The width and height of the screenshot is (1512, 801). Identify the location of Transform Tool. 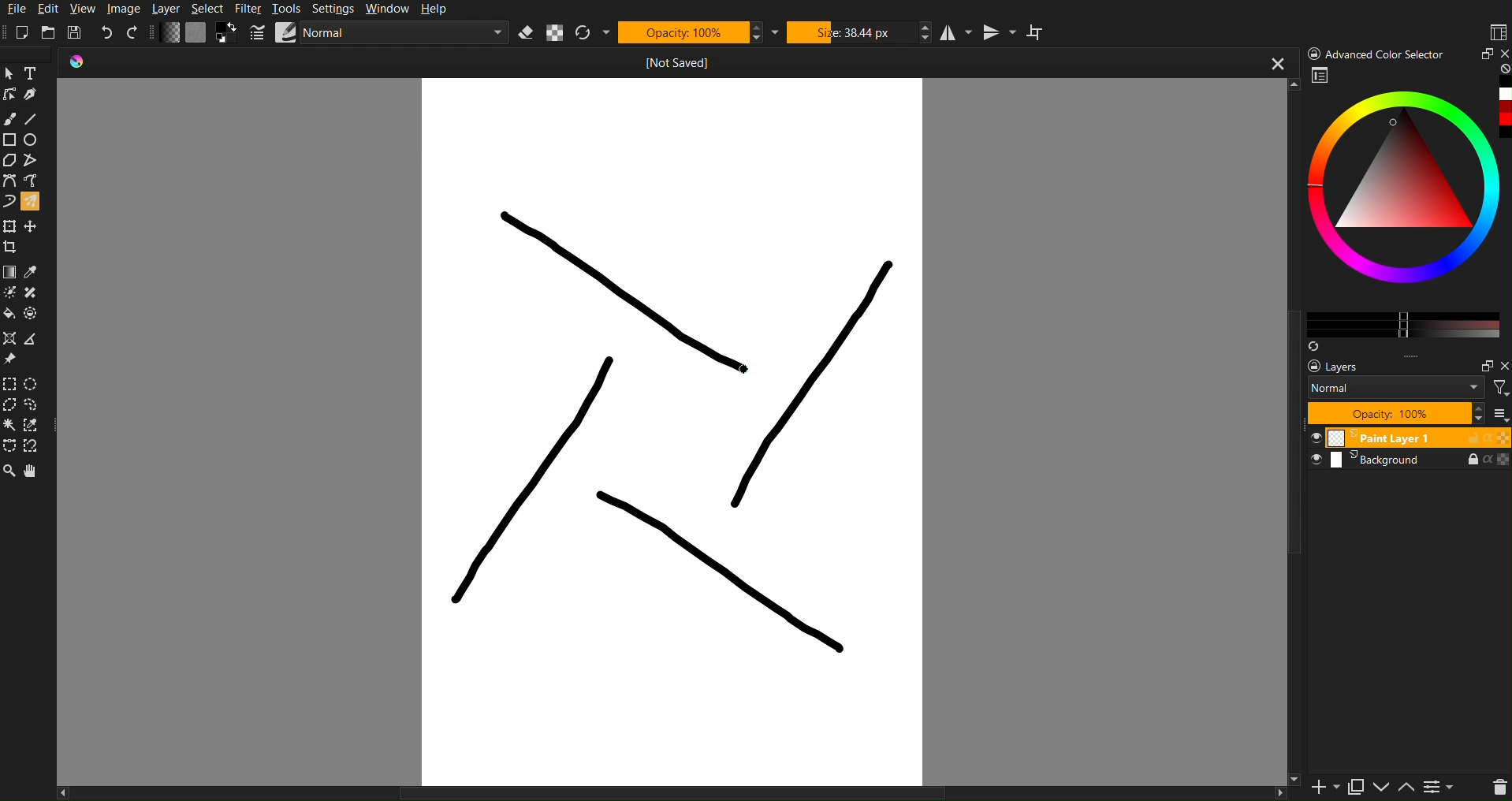
(10, 225).